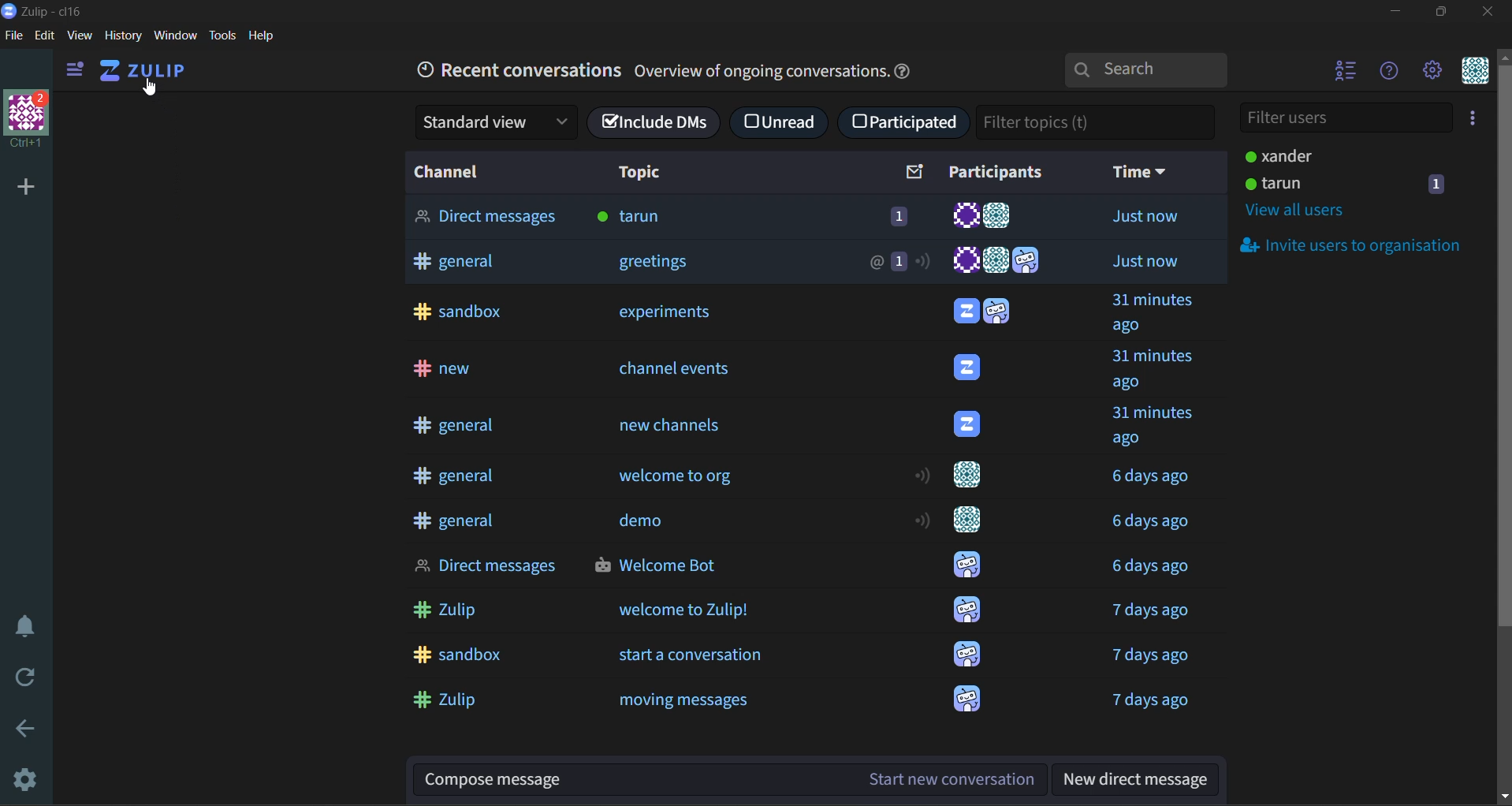 The width and height of the screenshot is (1512, 806). What do you see at coordinates (28, 778) in the screenshot?
I see `settings` at bounding box center [28, 778].